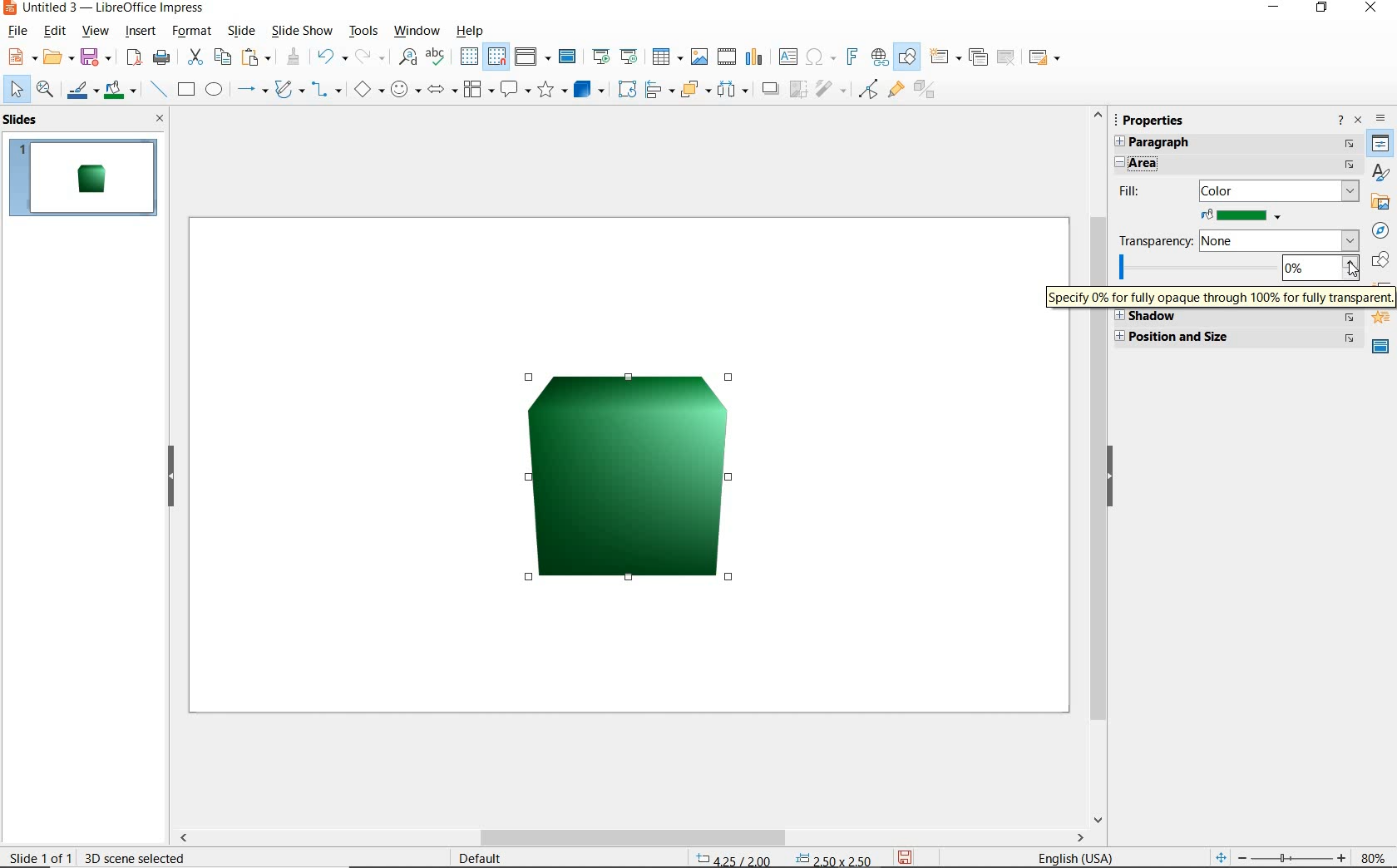 Image resolution: width=1397 pixels, height=868 pixels. Describe the element at coordinates (1321, 9) in the screenshot. I see `RESTORE DOWN` at that location.